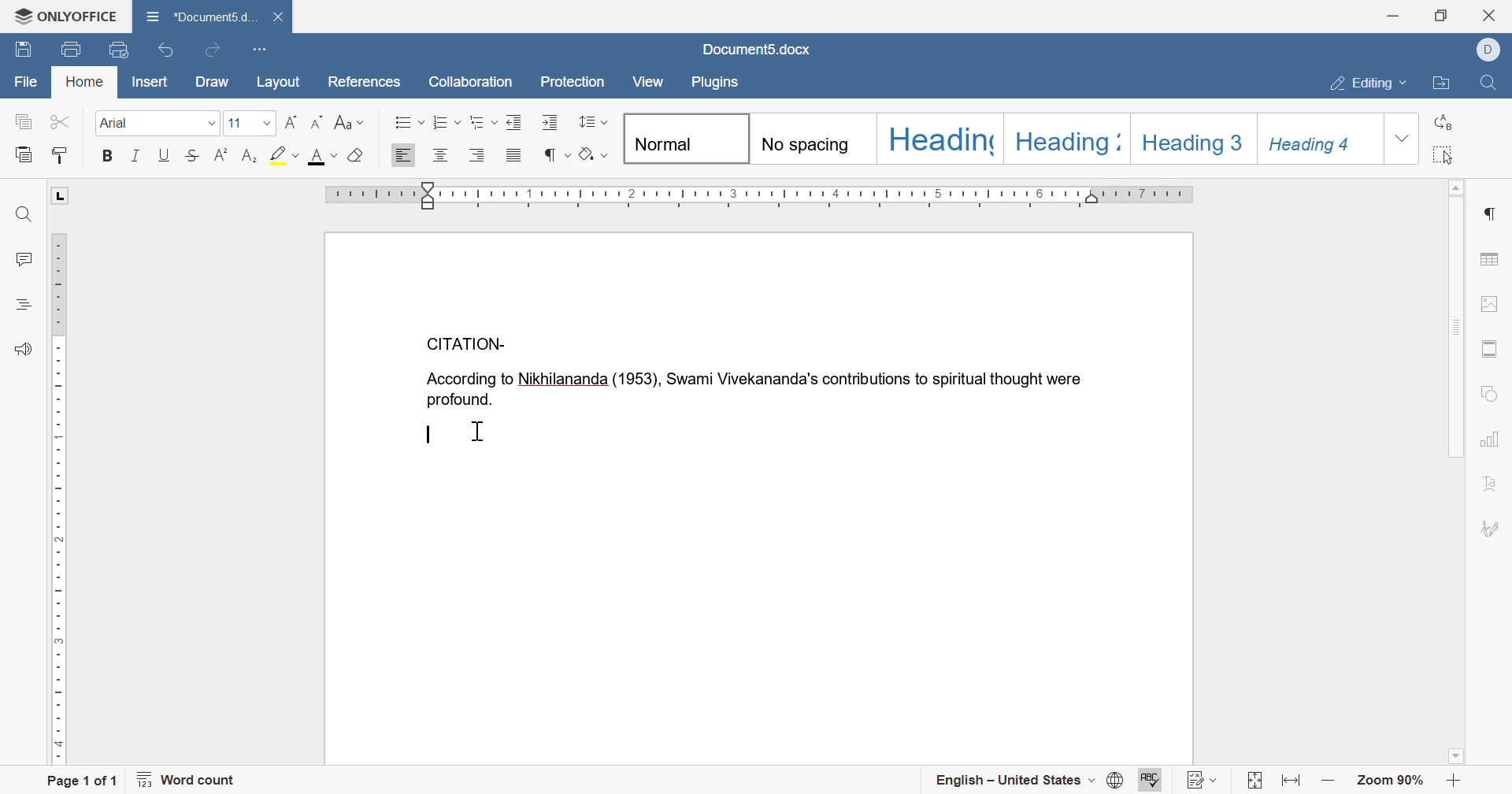 The image size is (1512, 794). What do you see at coordinates (161, 125) in the screenshot?
I see `font size` at bounding box center [161, 125].